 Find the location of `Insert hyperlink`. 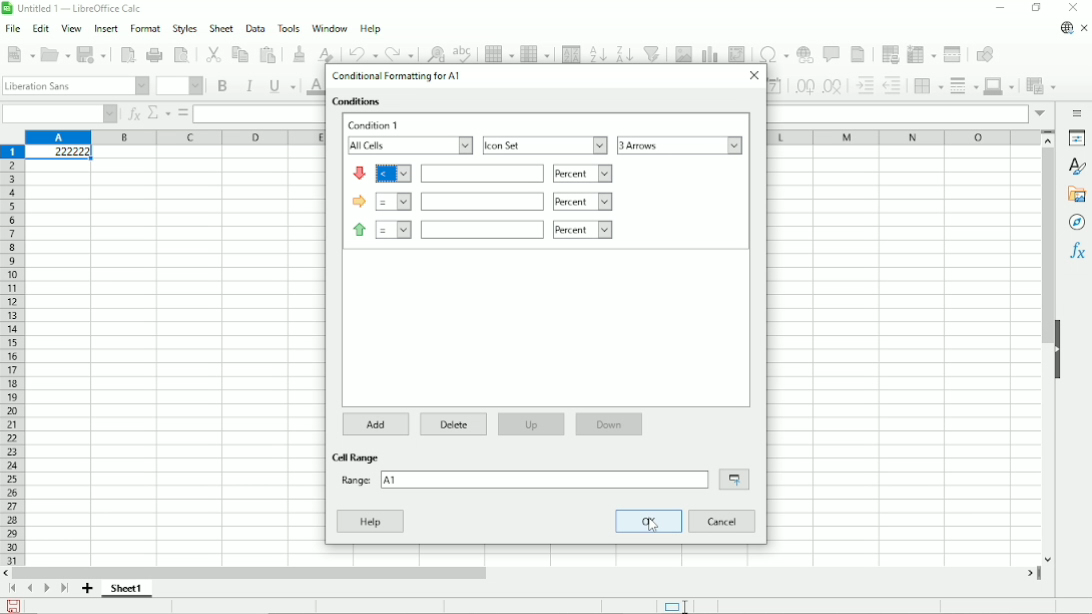

Insert hyperlink is located at coordinates (804, 54).